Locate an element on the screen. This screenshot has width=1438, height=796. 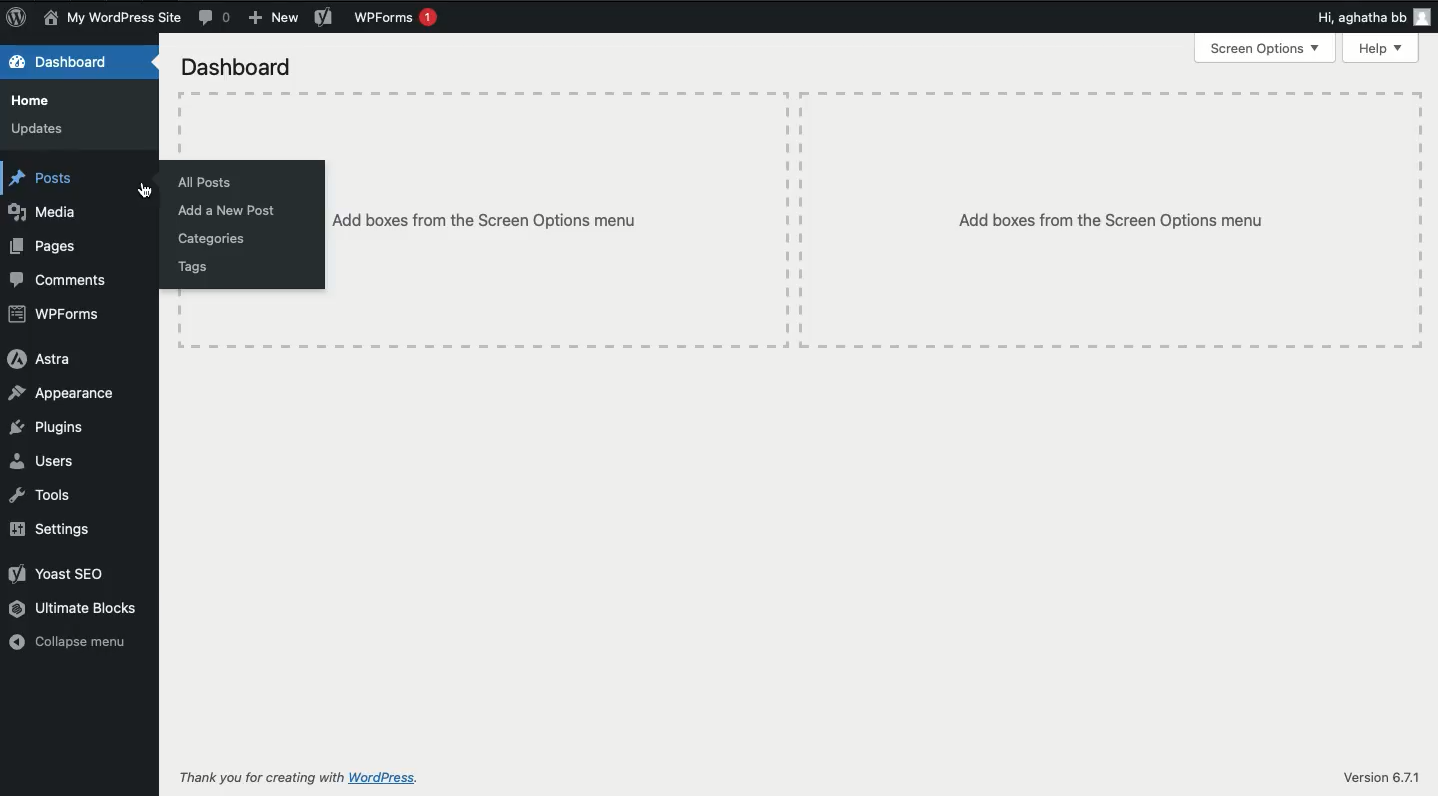
Logo is located at coordinates (20, 18).